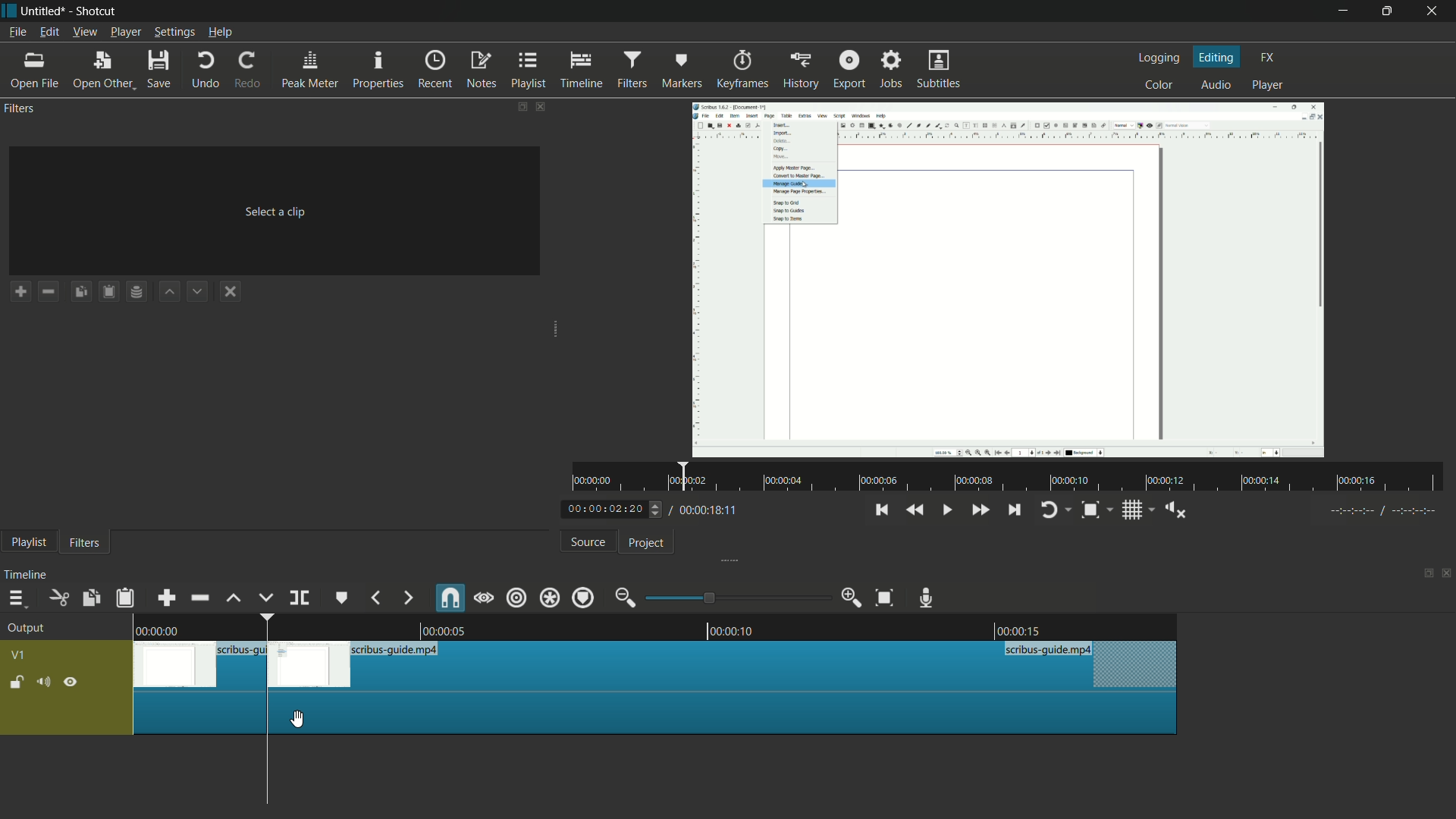  I want to click on close timeline, so click(1447, 575).